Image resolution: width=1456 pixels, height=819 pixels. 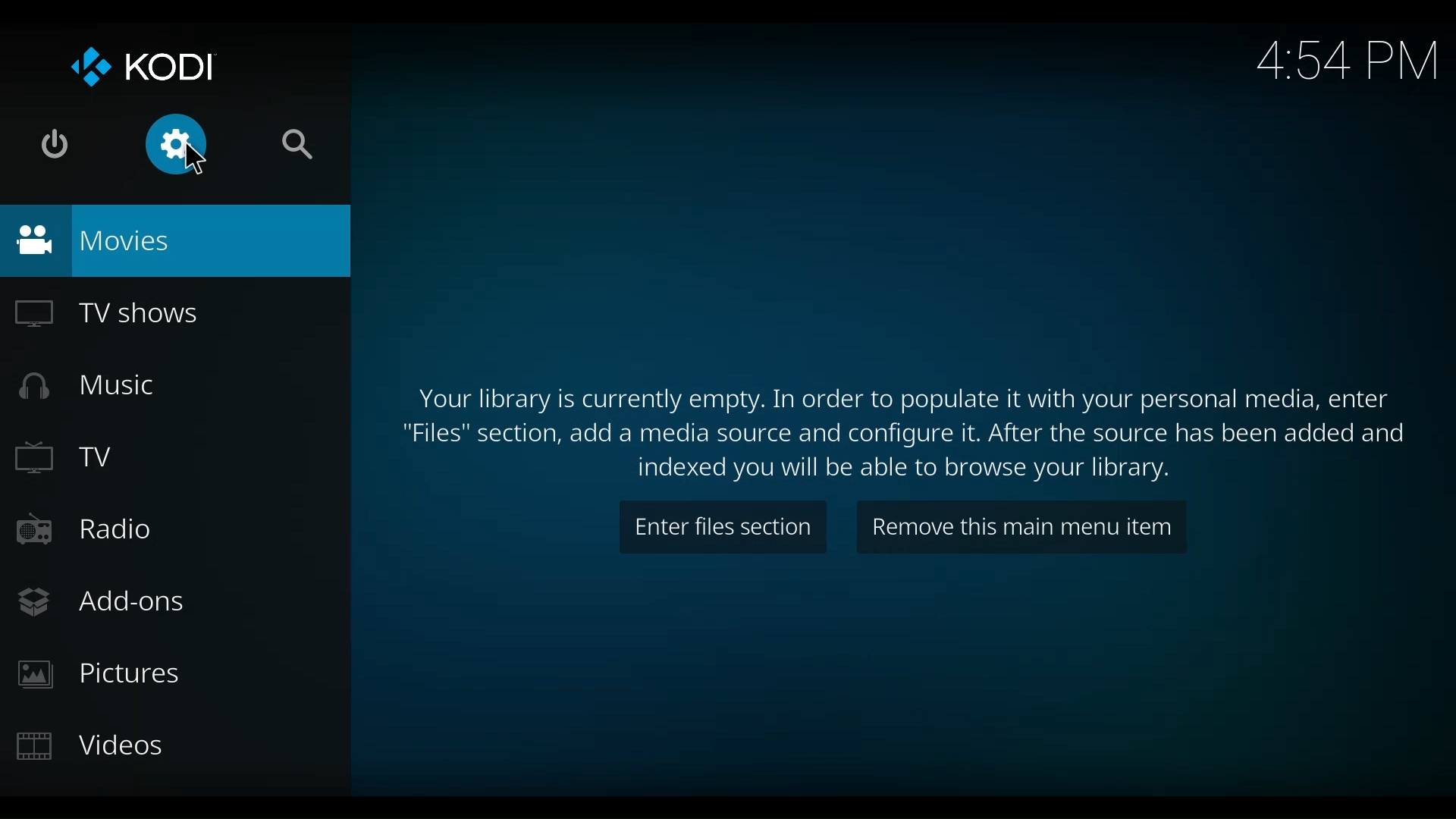 I want to click on Videos, so click(x=93, y=745).